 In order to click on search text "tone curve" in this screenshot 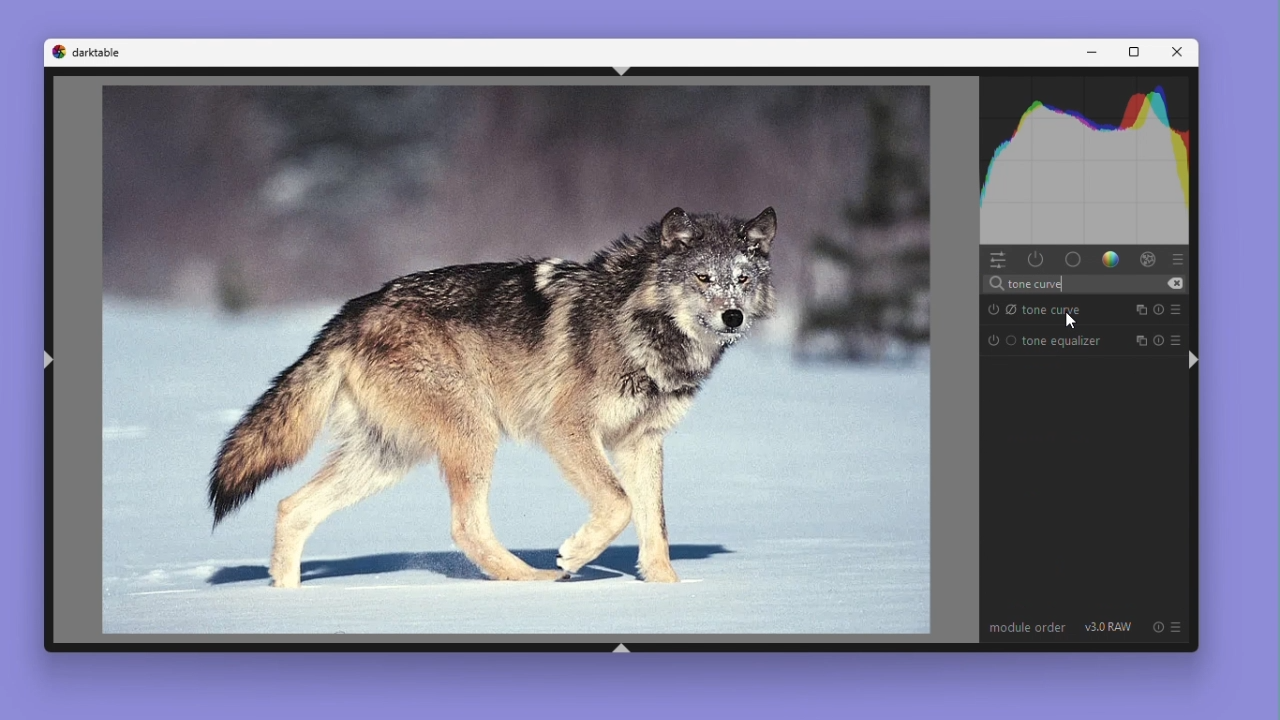, I will do `click(1082, 284)`.